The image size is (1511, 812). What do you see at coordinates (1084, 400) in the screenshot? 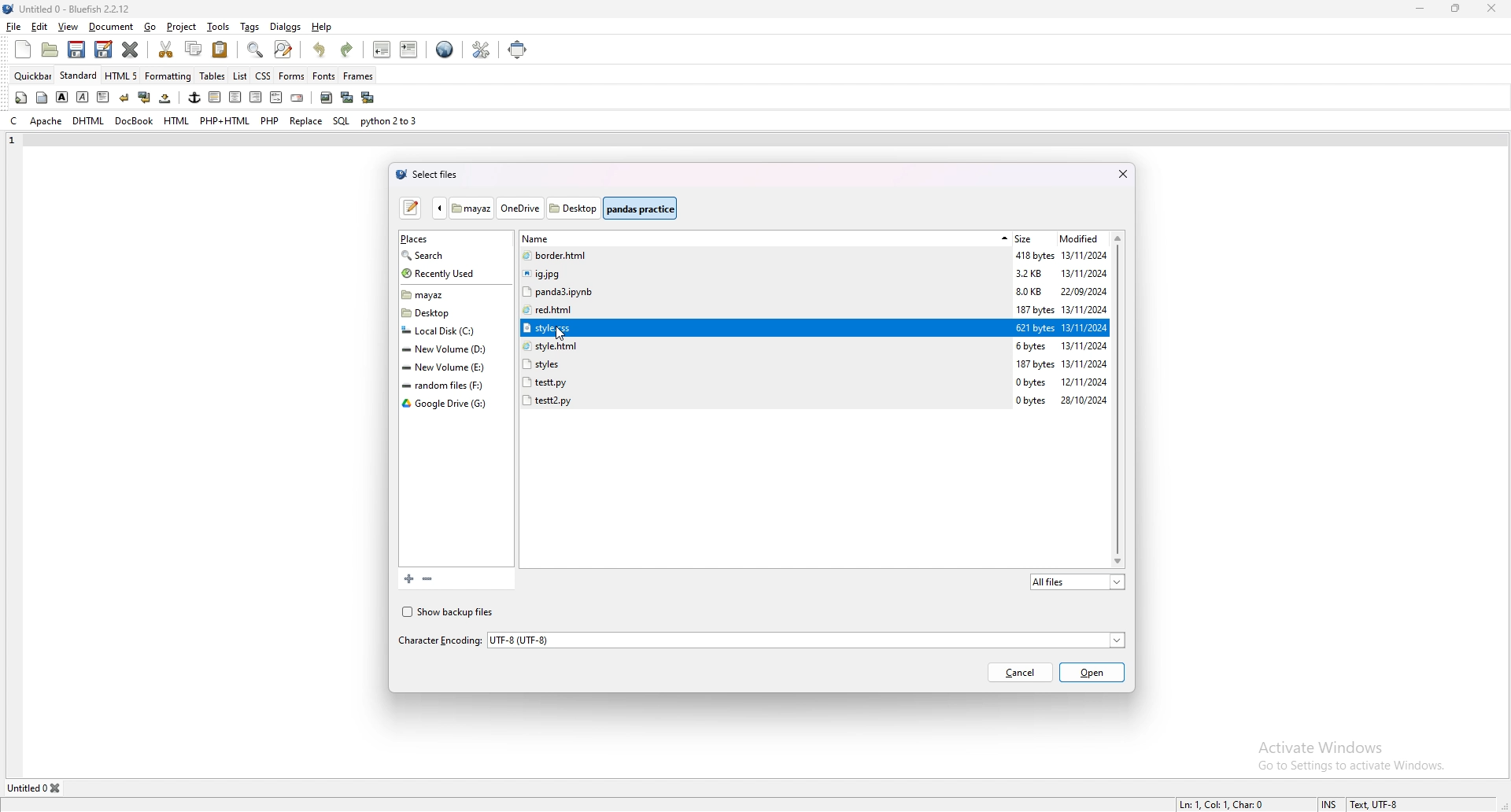
I see `28/10/2024` at bounding box center [1084, 400].